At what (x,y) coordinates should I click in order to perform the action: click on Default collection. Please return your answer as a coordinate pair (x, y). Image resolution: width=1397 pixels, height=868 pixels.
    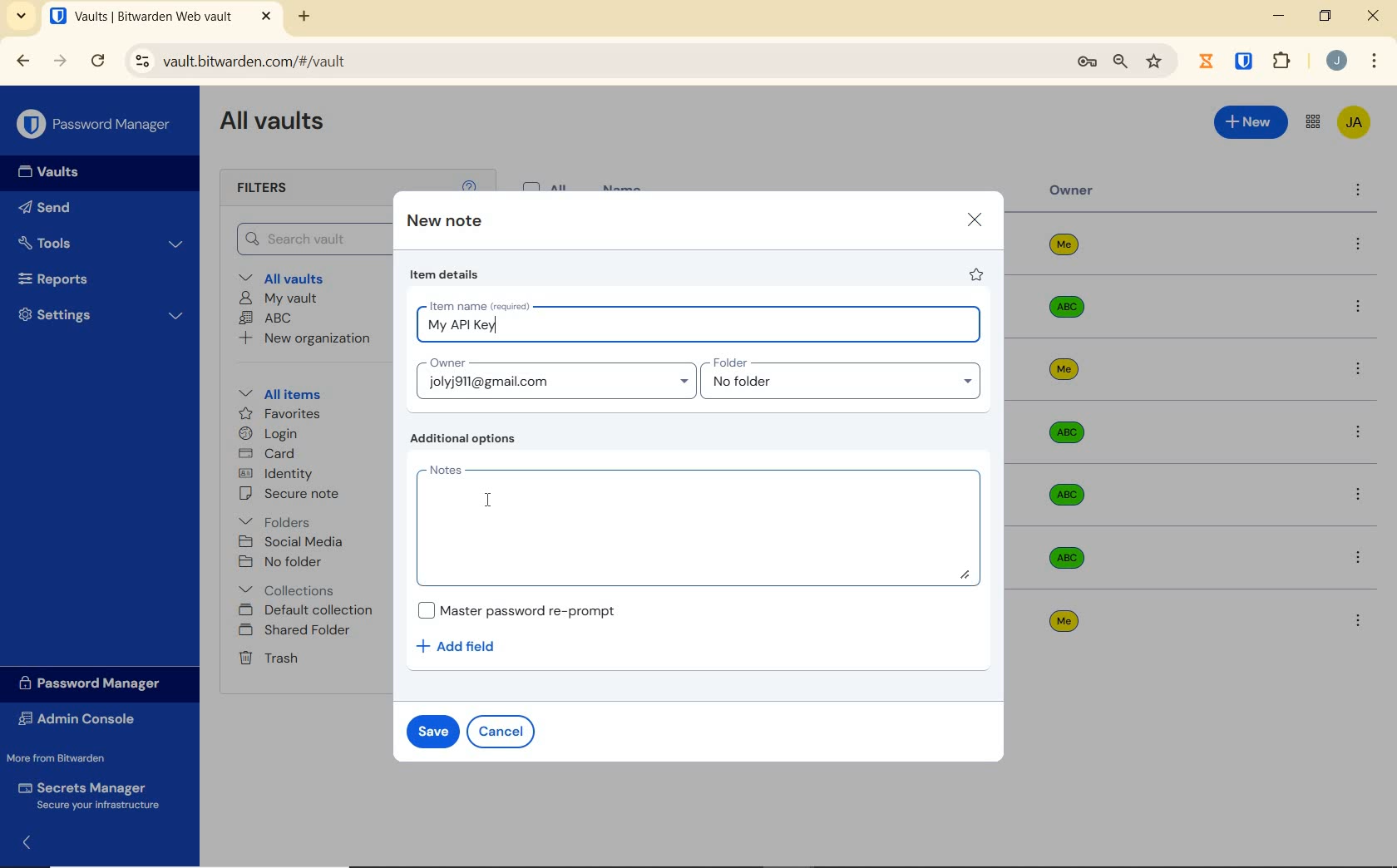
    Looking at the image, I should click on (310, 611).